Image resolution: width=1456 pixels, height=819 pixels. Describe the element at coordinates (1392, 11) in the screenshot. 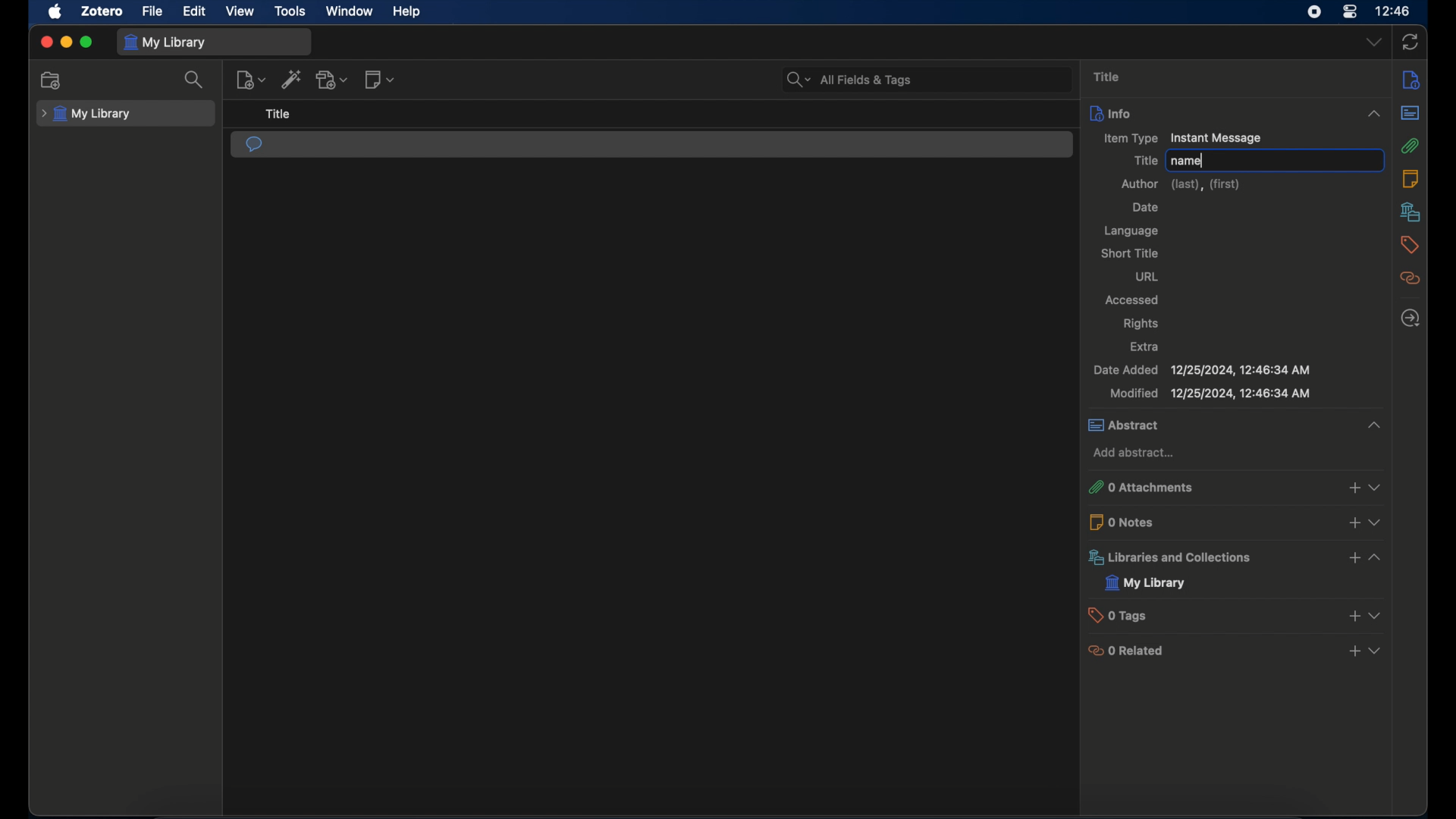

I see `time` at that location.